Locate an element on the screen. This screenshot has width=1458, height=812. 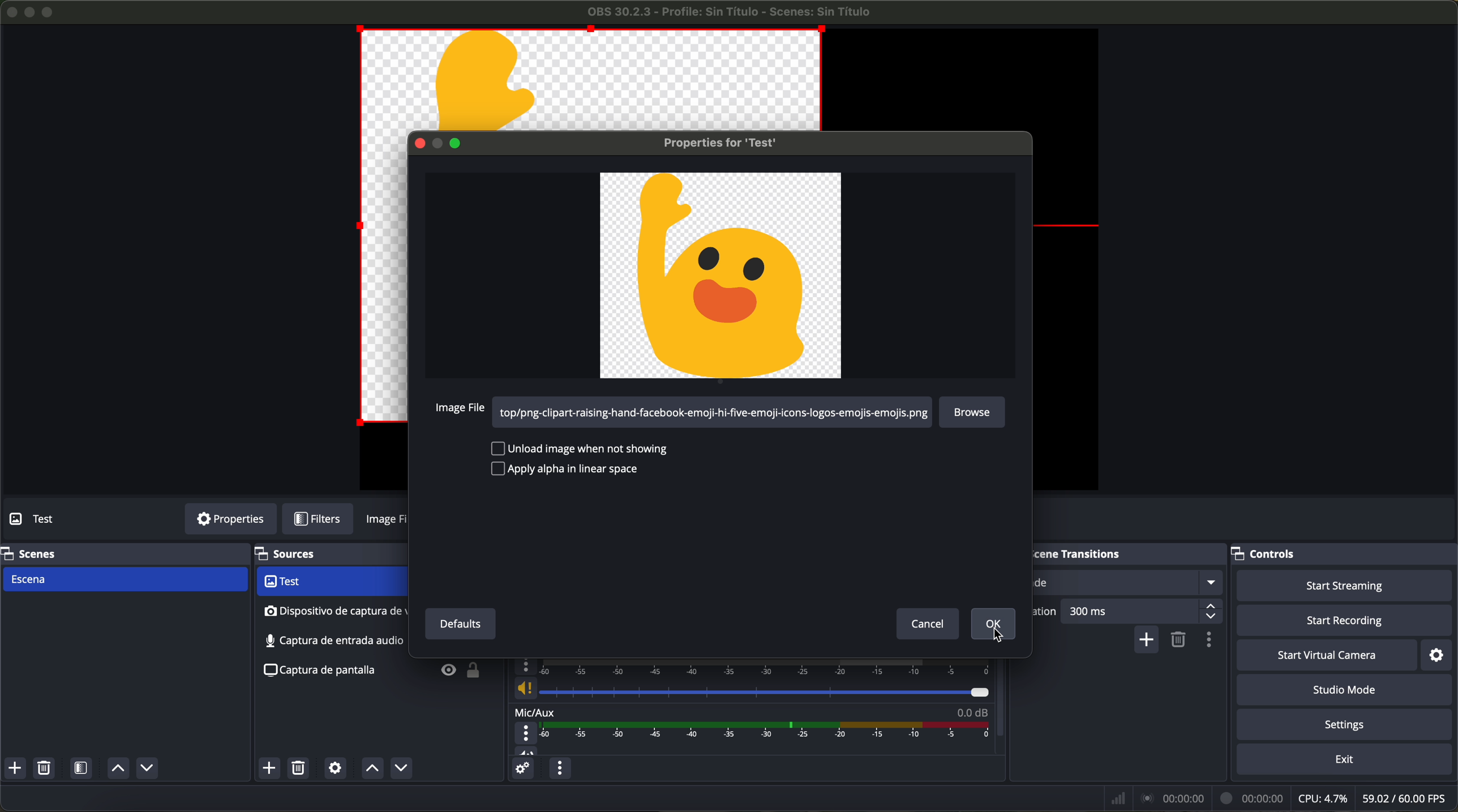
controls is located at coordinates (1274, 551).